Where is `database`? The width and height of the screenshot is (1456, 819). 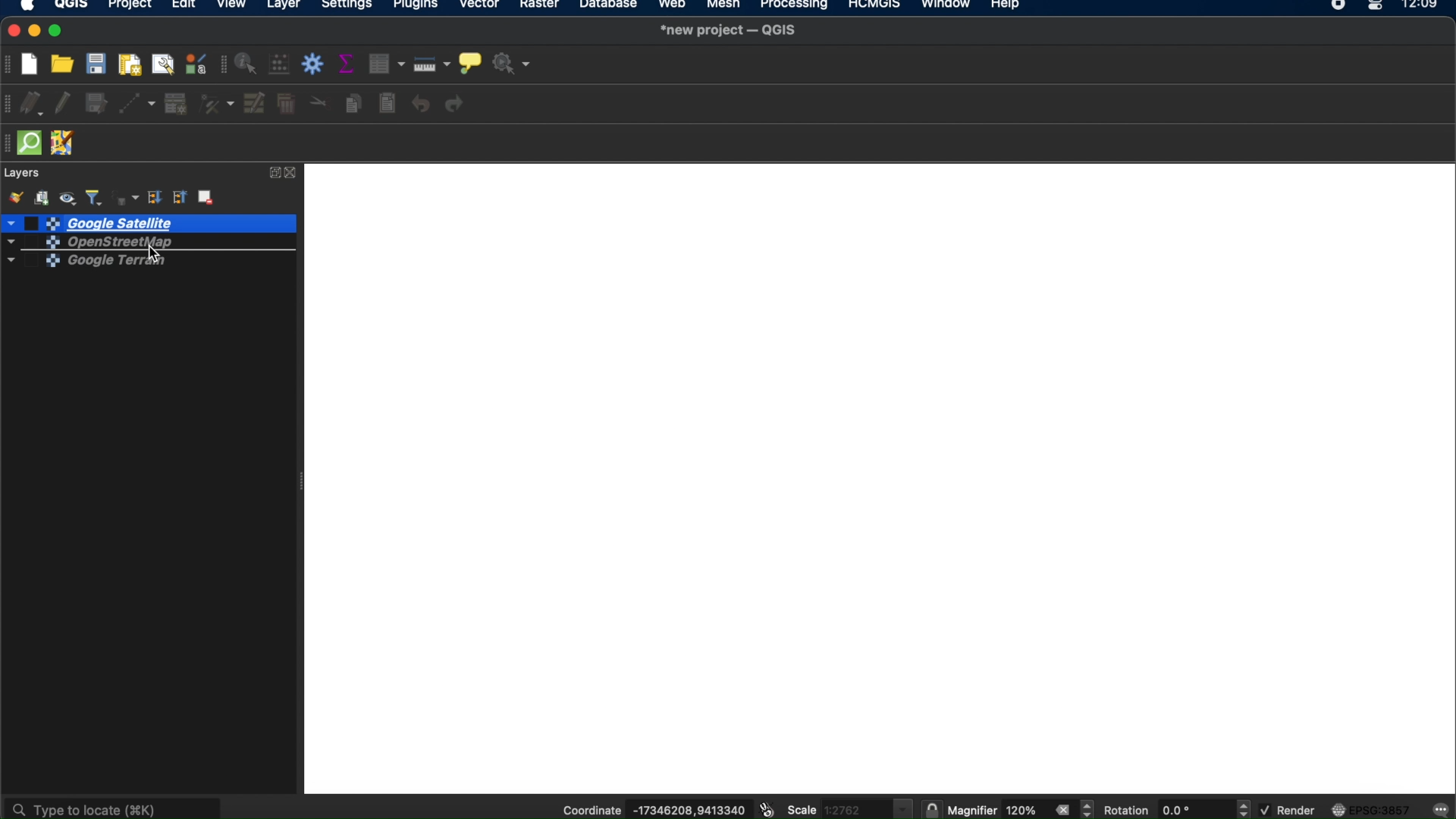
database is located at coordinates (609, 6).